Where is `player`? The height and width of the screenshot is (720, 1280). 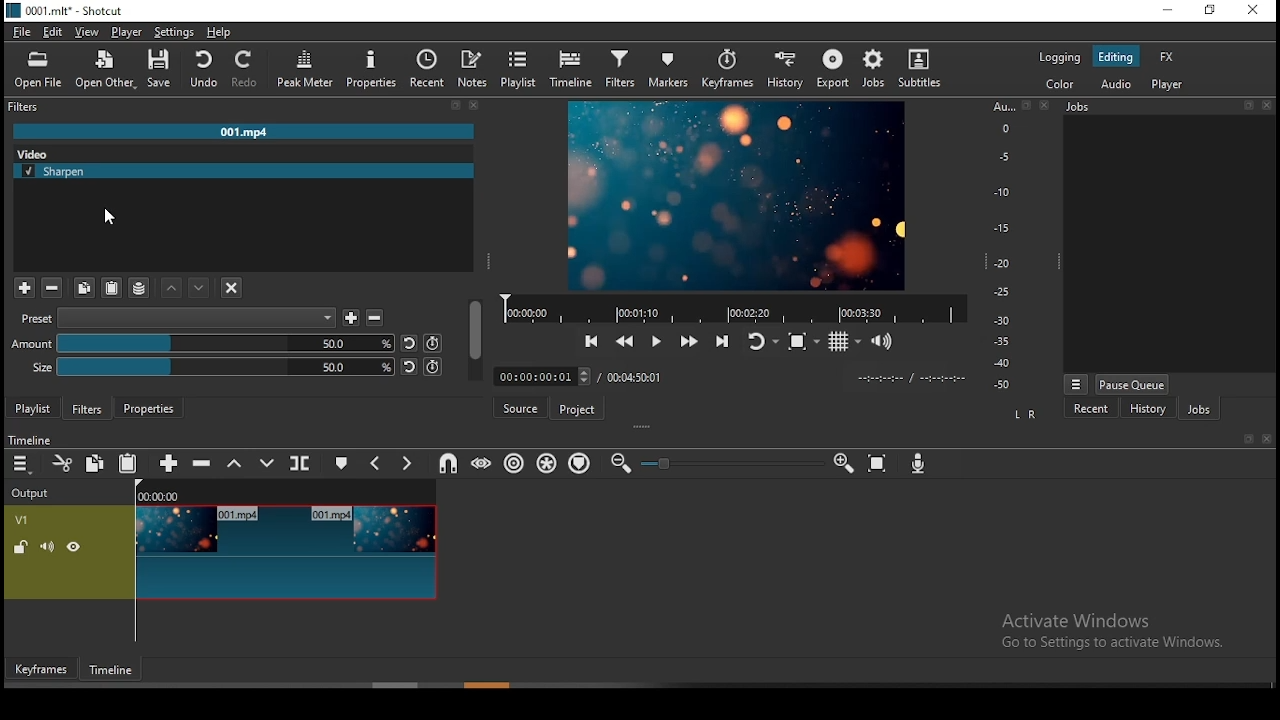
player is located at coordinates (1169, 84).